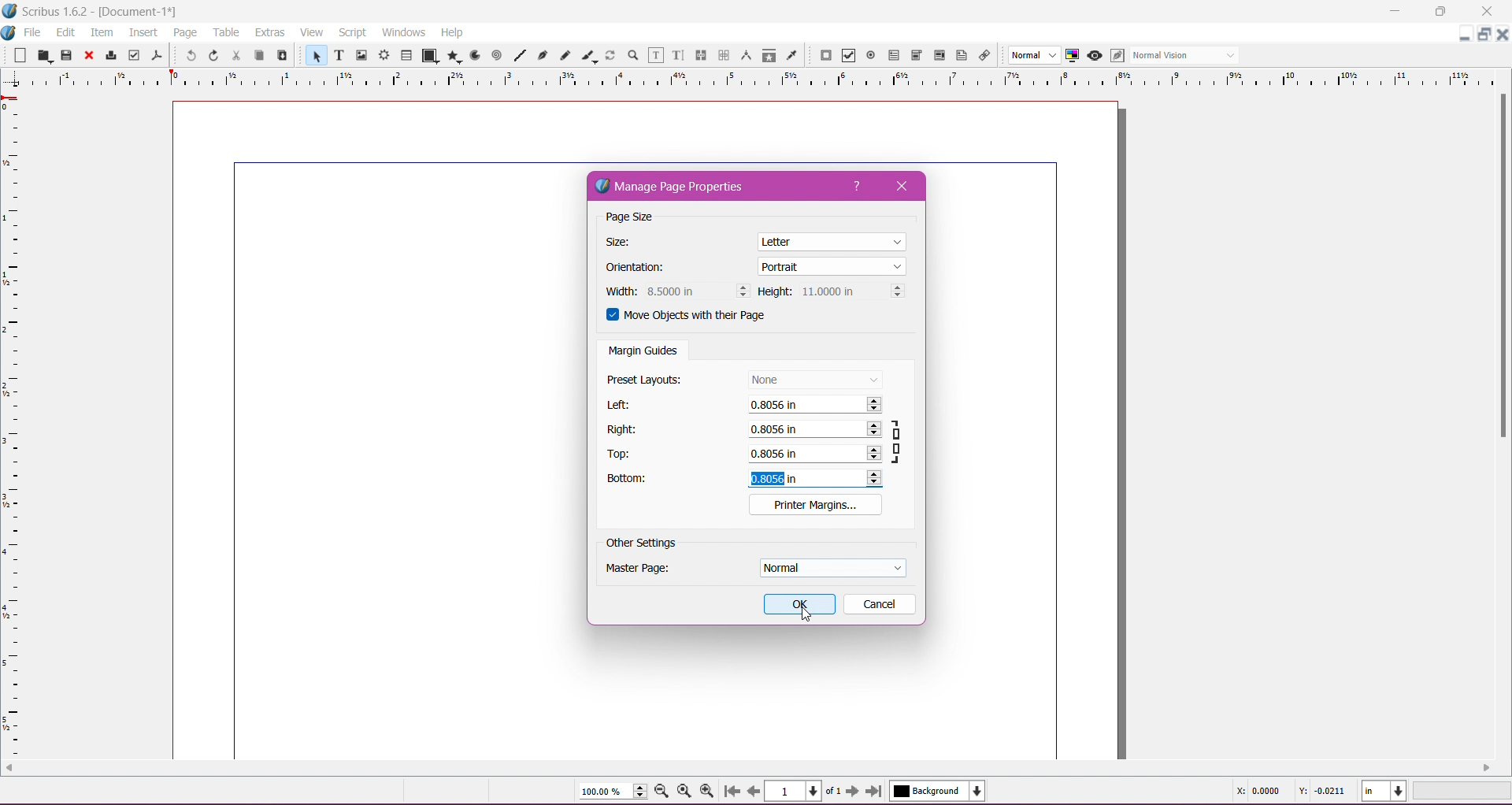 This screenshot has height=805, width=1512. Describe the element at coordinates (632, 56) in the screenshot. I see `Zoom In or Out` at that location.